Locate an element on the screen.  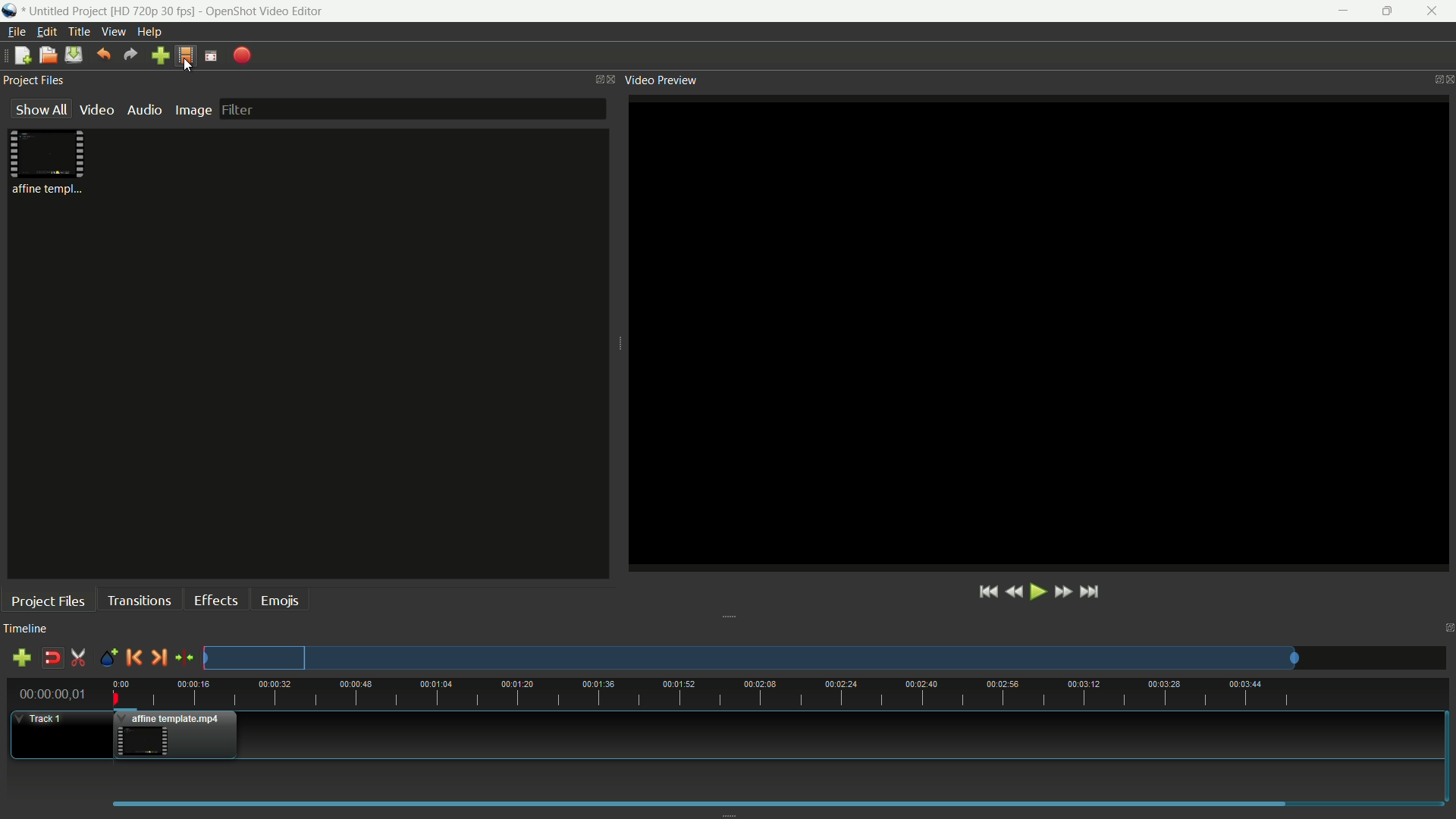
play or pause is located at coordinates (1036, 592).